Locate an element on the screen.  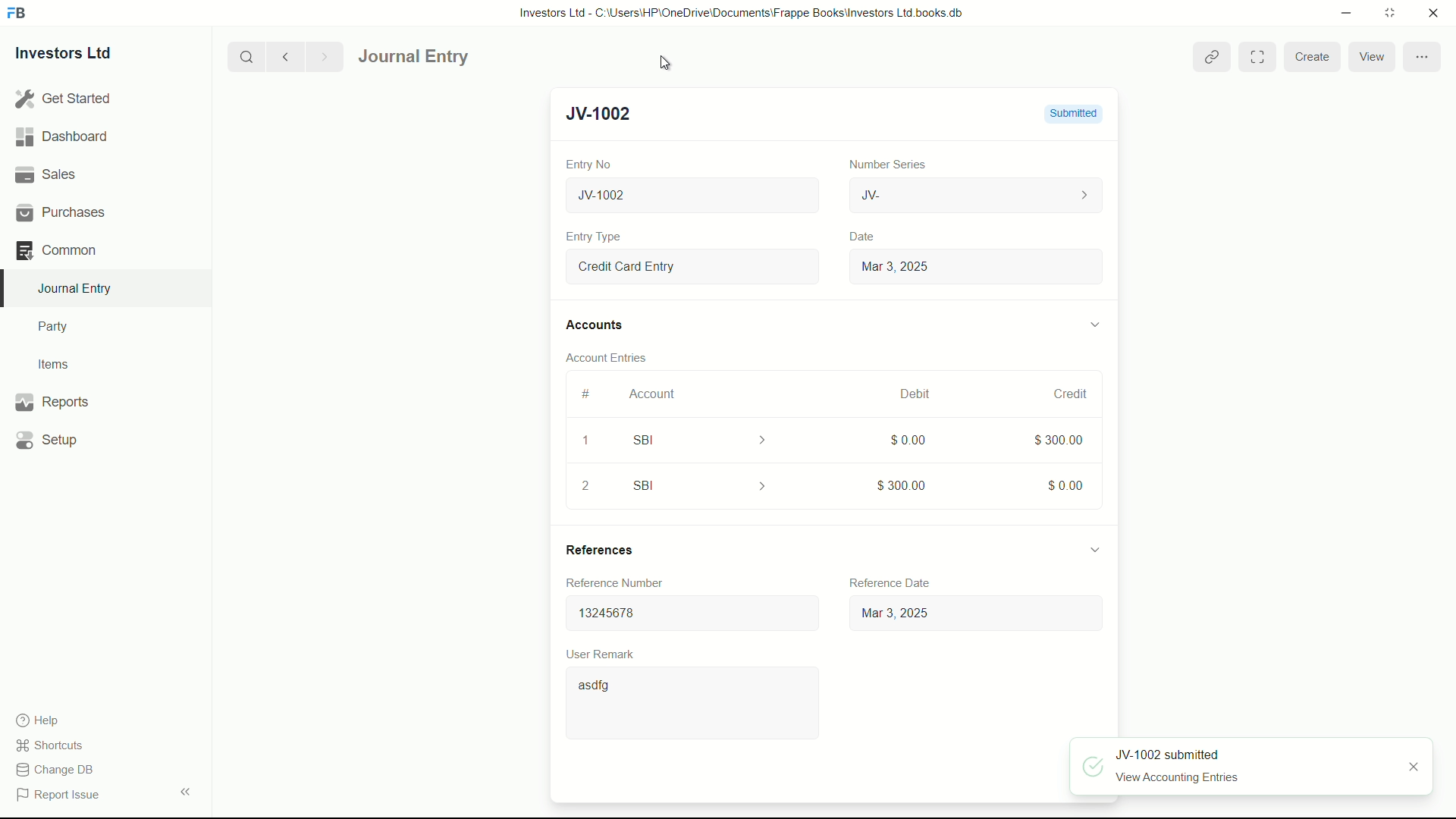
SBI is located at coordinates (704, 485).